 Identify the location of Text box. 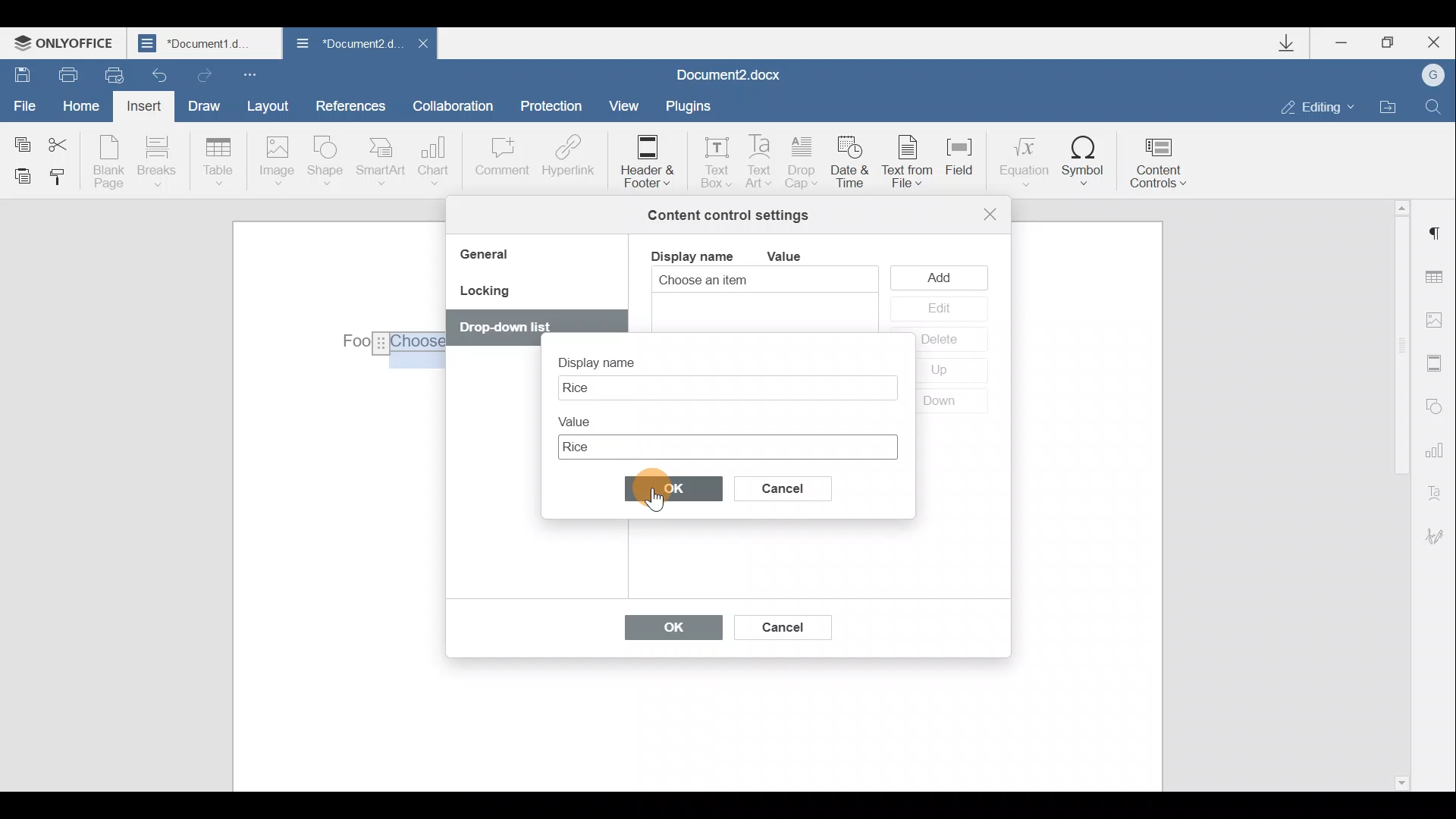
(711, 158).